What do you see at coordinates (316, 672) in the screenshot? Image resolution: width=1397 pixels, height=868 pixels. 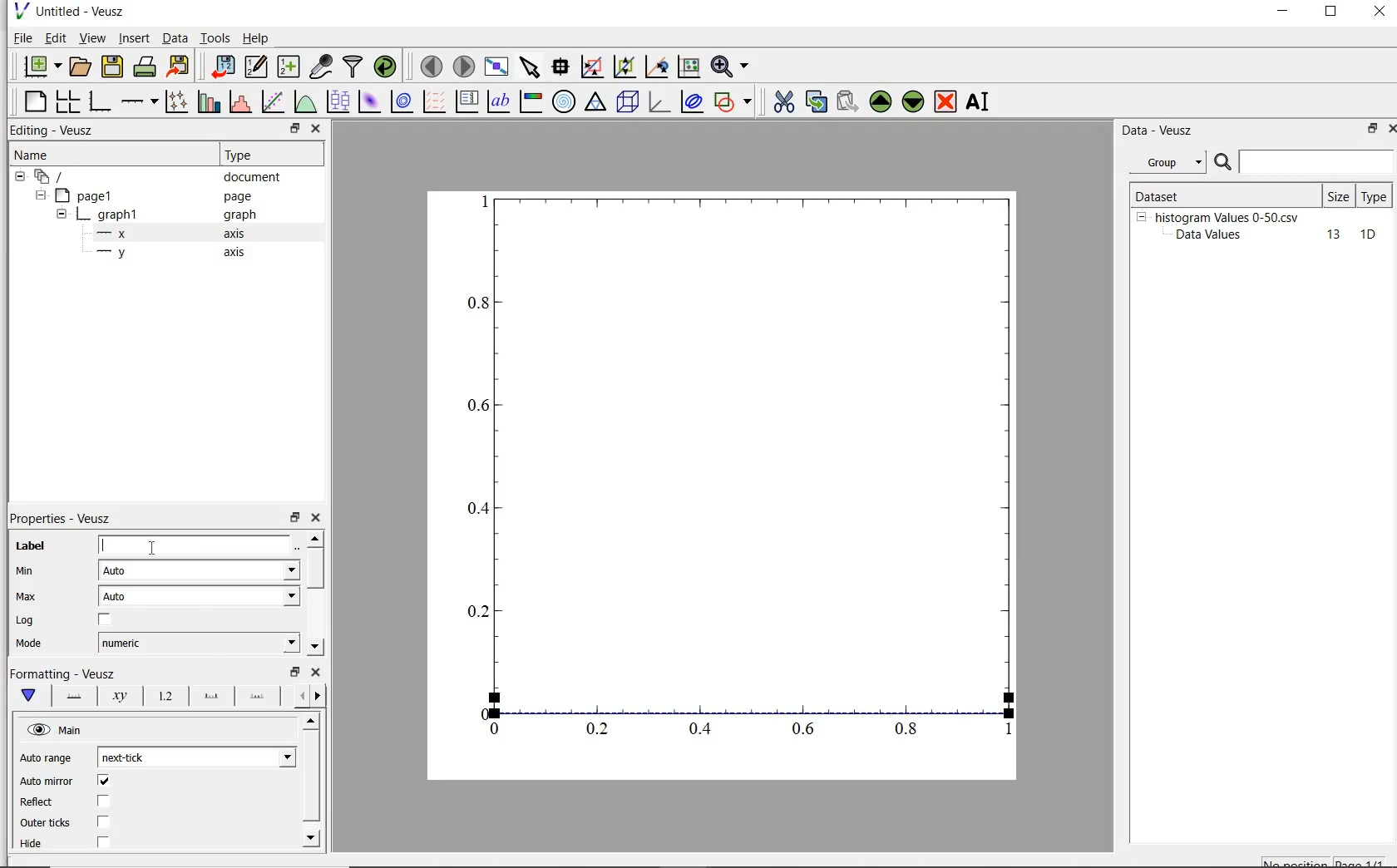 I see `close` at bounding box center [316, 672].